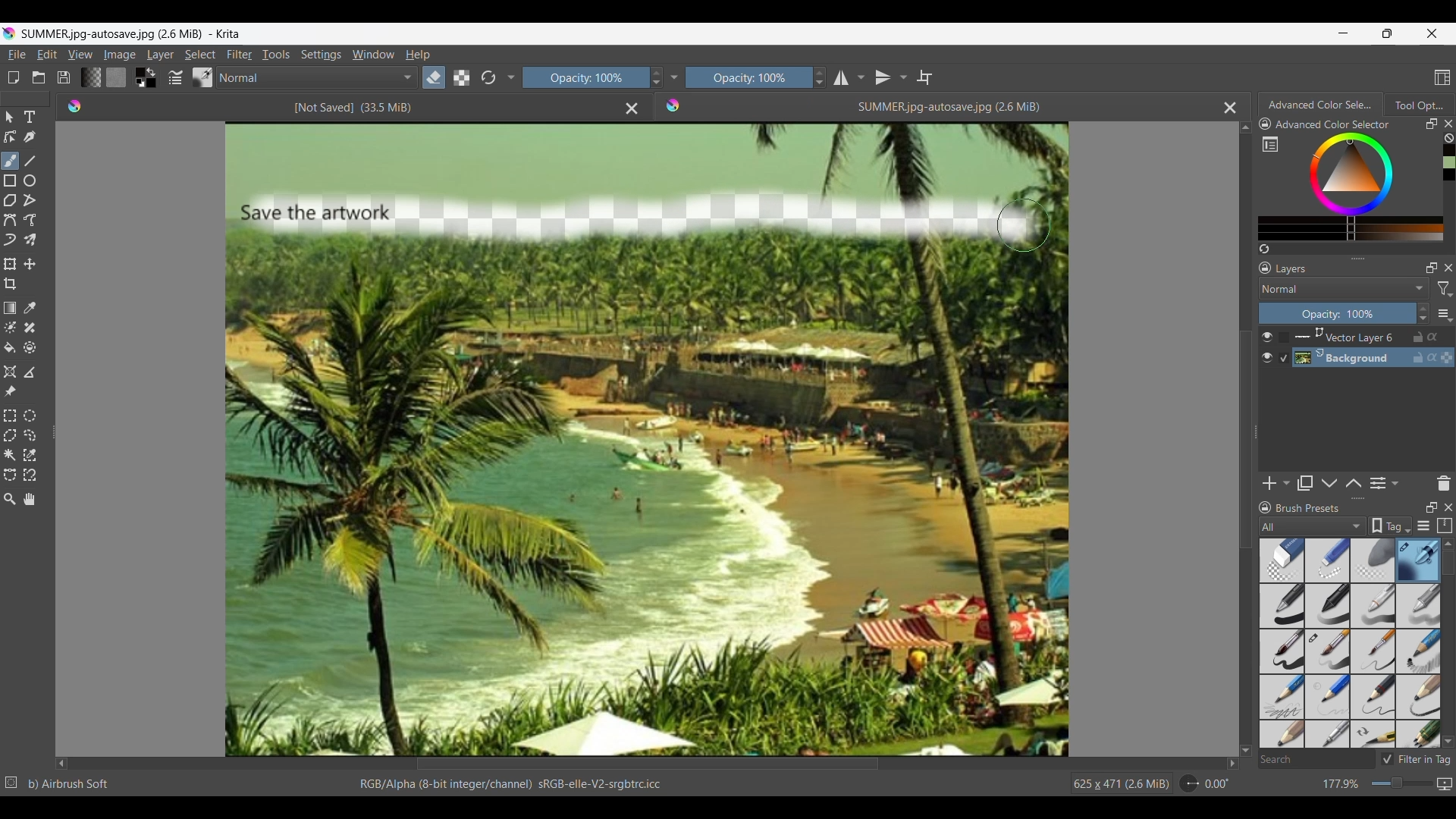 This screenshot has height=819, width=1456. I want to click on Show/Hide tools, so click(512, 78).